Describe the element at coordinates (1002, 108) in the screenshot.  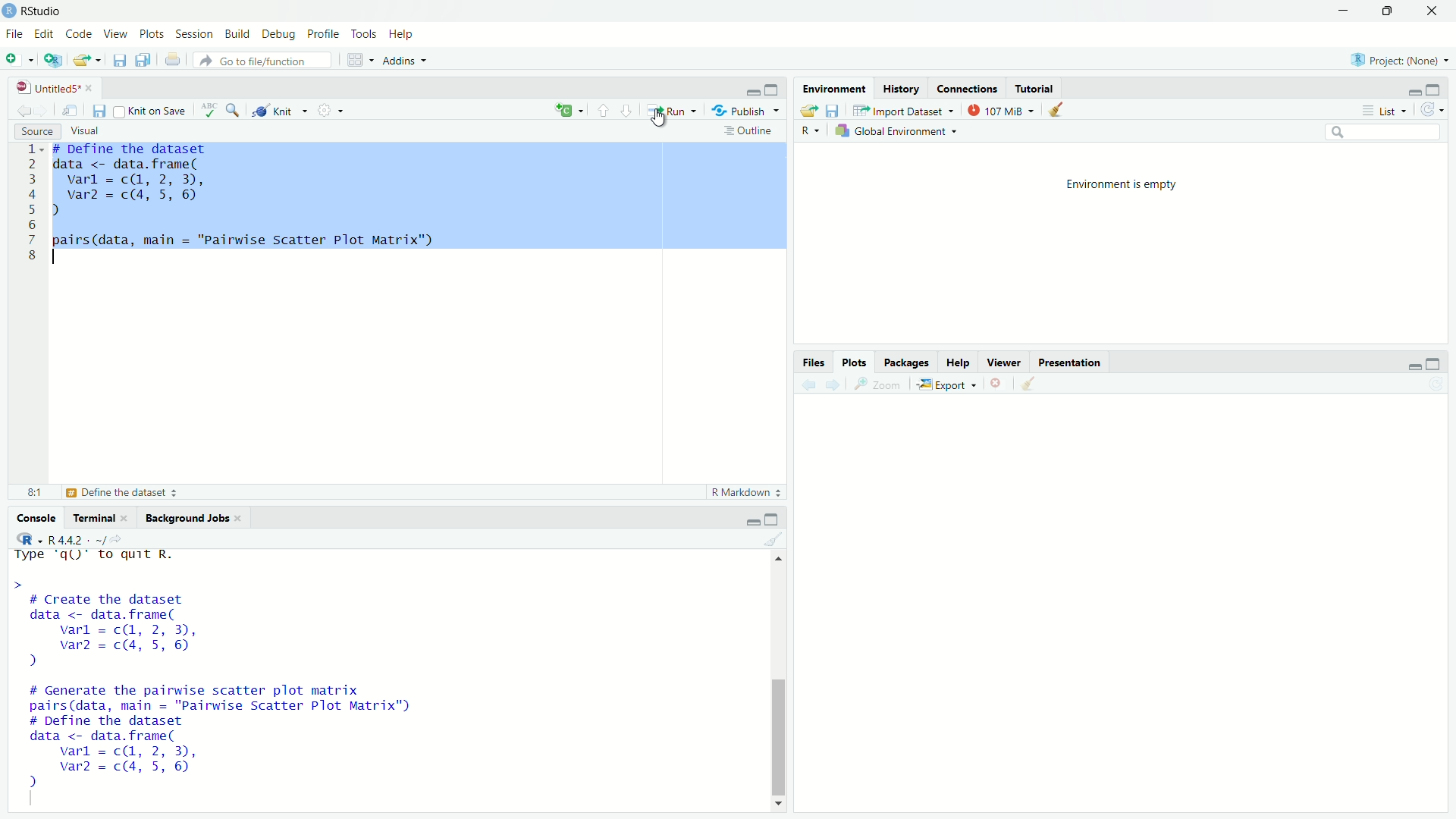
I see `129kib used by R session (Source: Windows System)` at that location.